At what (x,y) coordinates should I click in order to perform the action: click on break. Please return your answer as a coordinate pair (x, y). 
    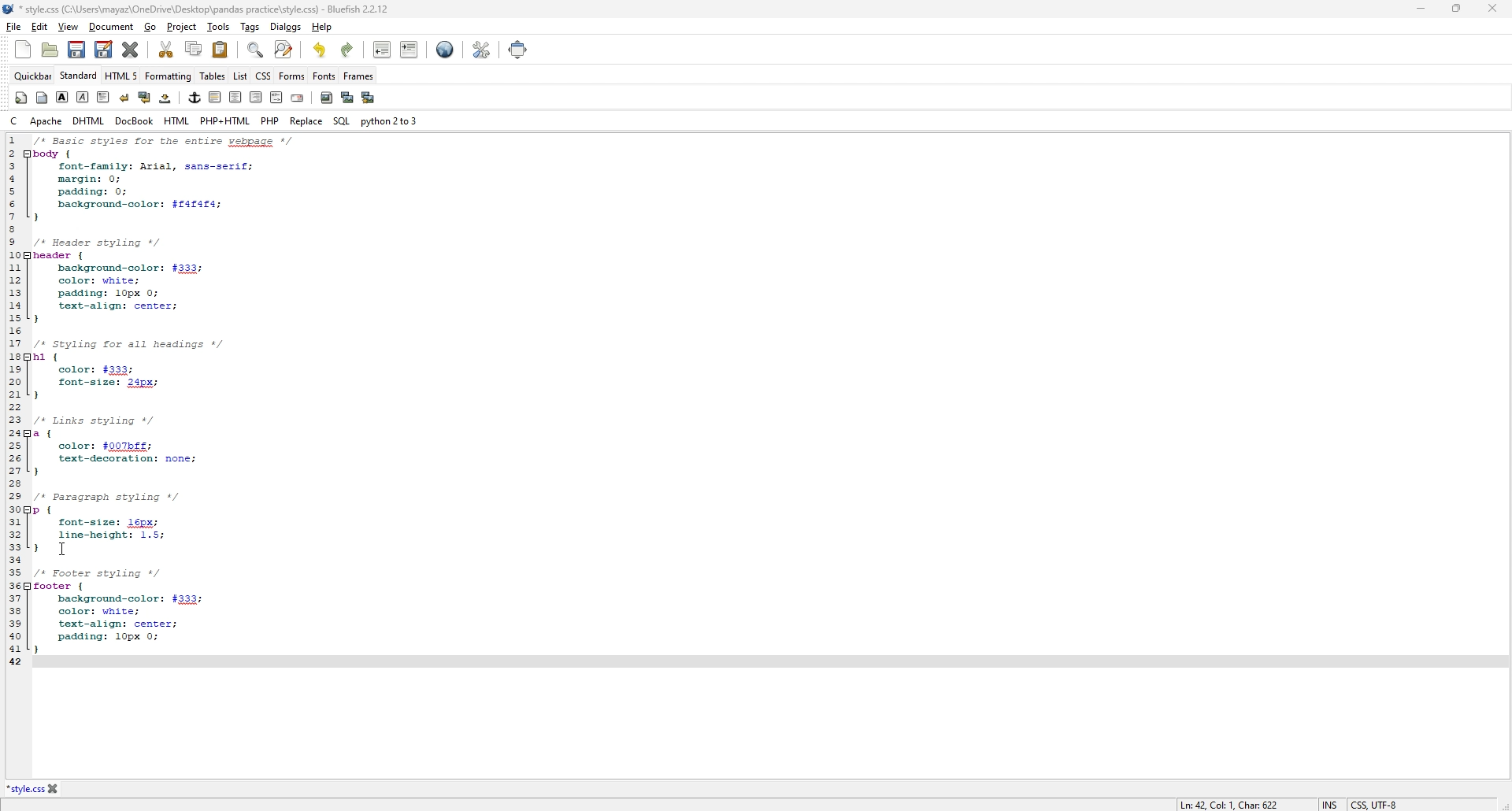
    Looking at the image, I should click on (124, 98).